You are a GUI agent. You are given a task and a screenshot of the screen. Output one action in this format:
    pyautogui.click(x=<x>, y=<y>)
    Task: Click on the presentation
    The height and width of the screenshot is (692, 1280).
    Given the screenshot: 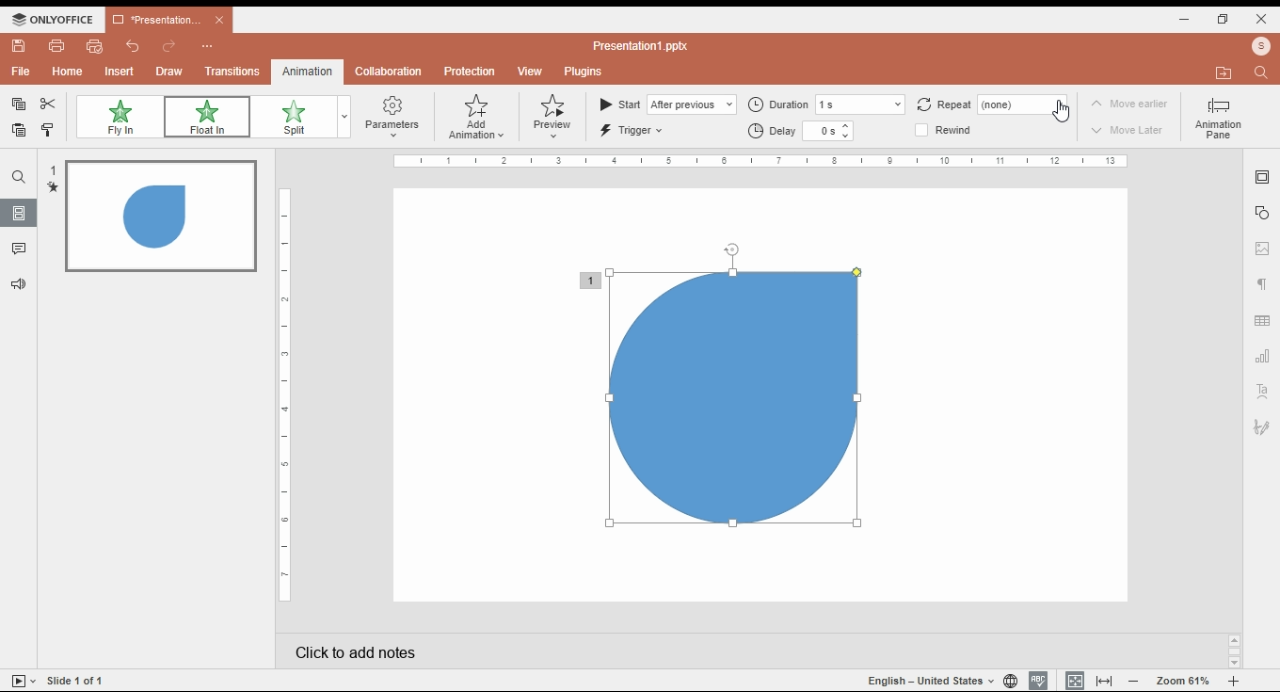 What is the action you would take?
    pyautogui.click(x=167, y=20)
    